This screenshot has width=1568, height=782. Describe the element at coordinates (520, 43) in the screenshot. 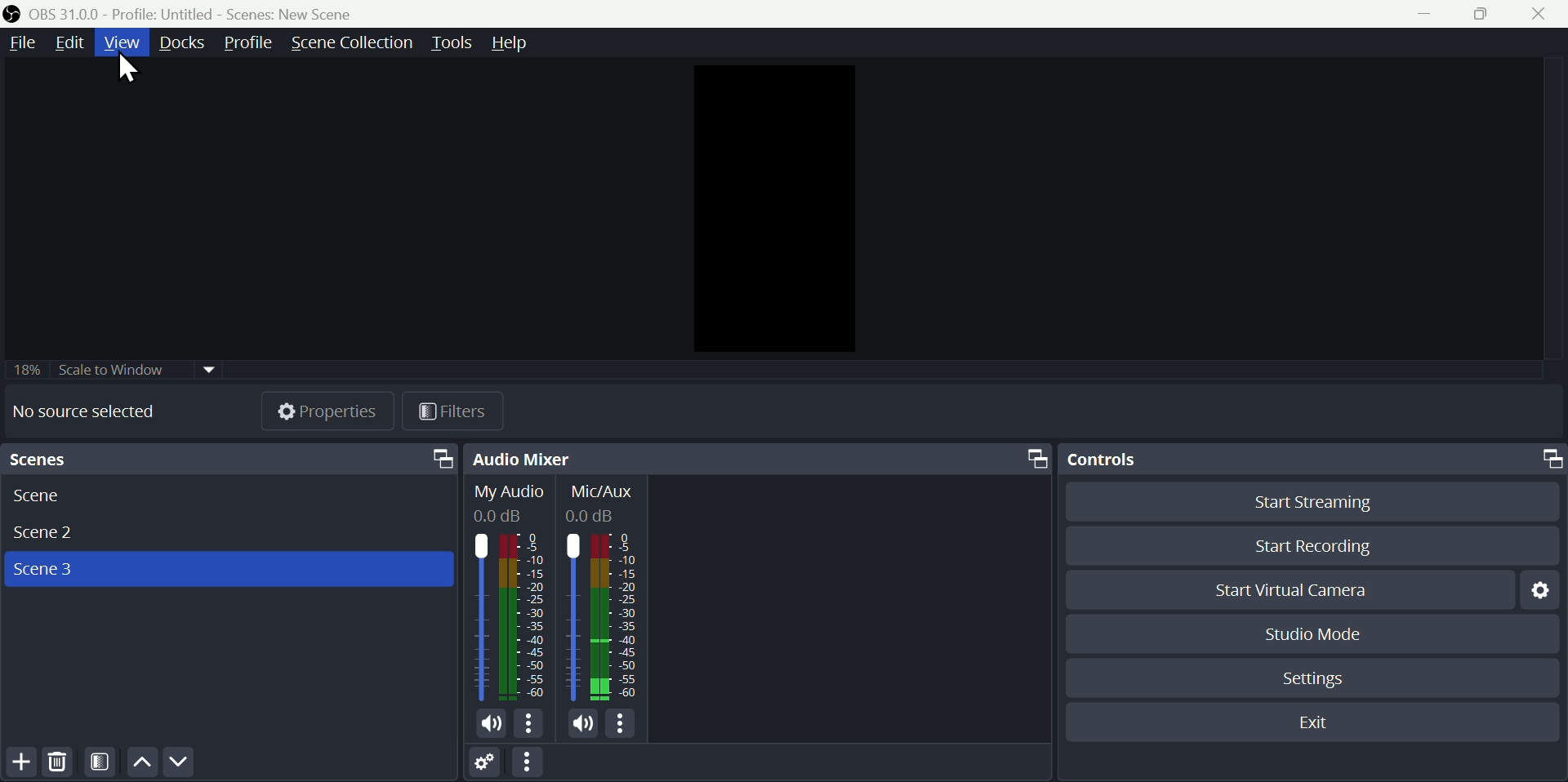

I see `Help` at that location.